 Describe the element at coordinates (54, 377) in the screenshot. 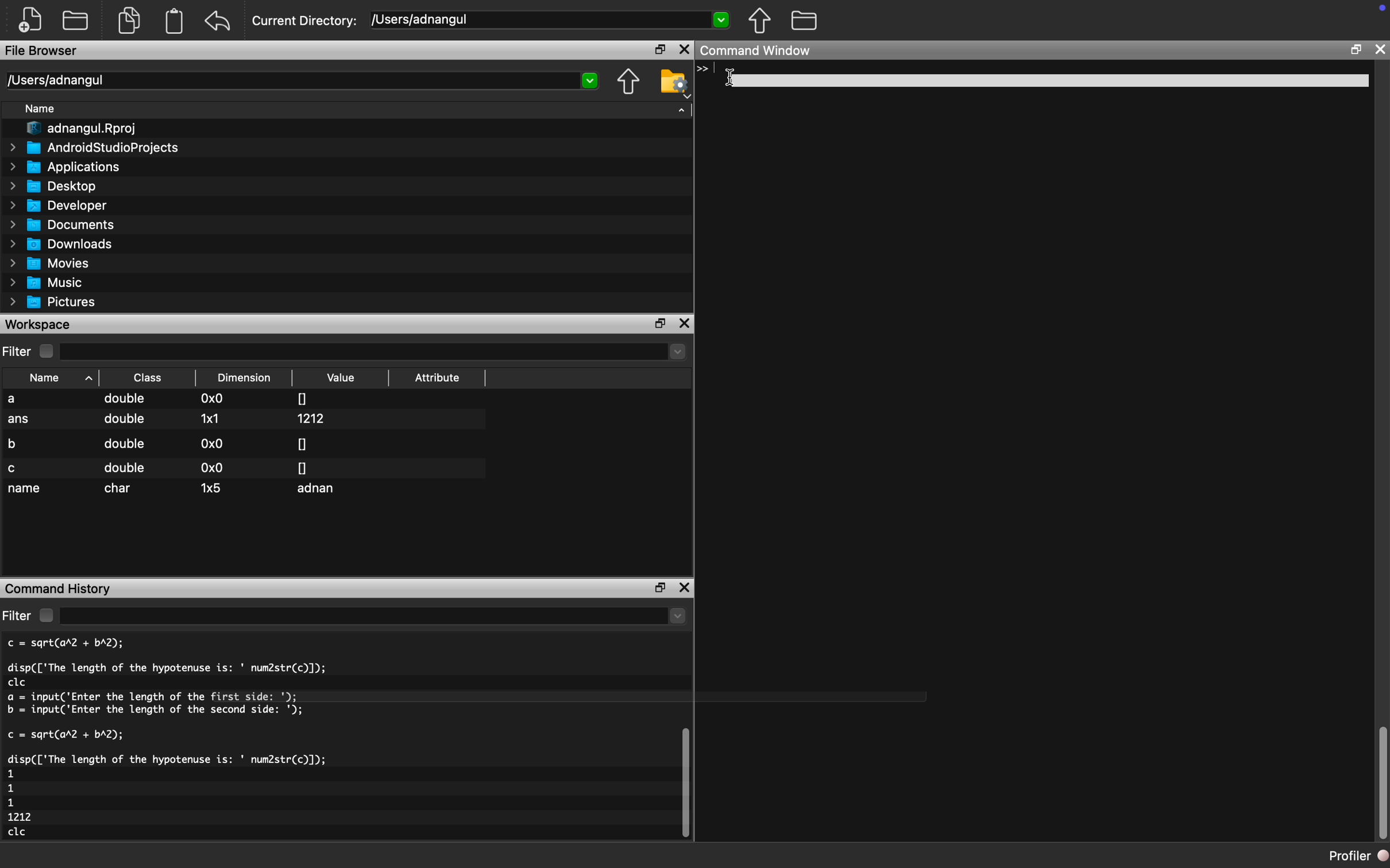

I see `Name` at that location.